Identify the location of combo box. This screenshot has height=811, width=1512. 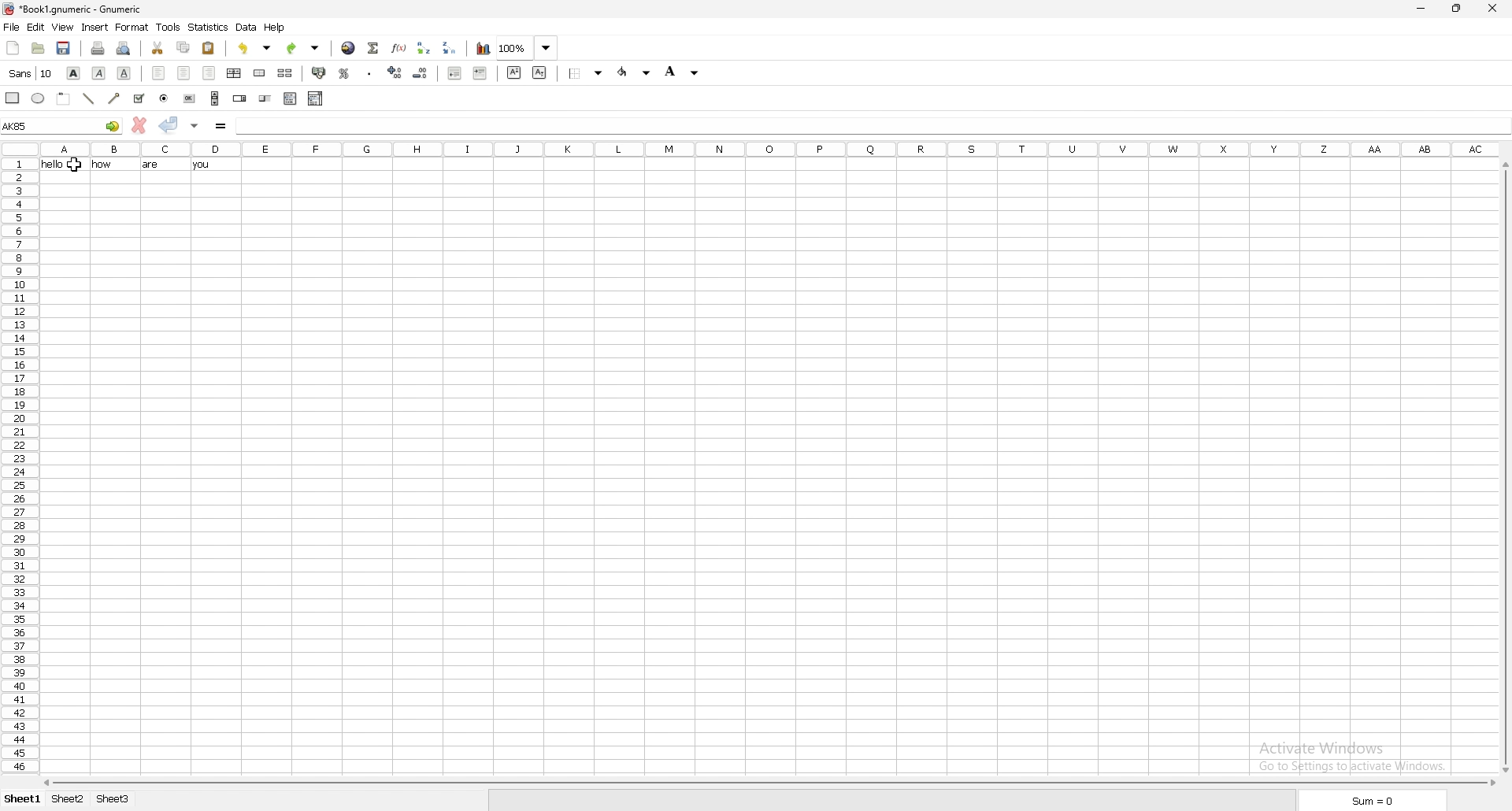
(316, 98).